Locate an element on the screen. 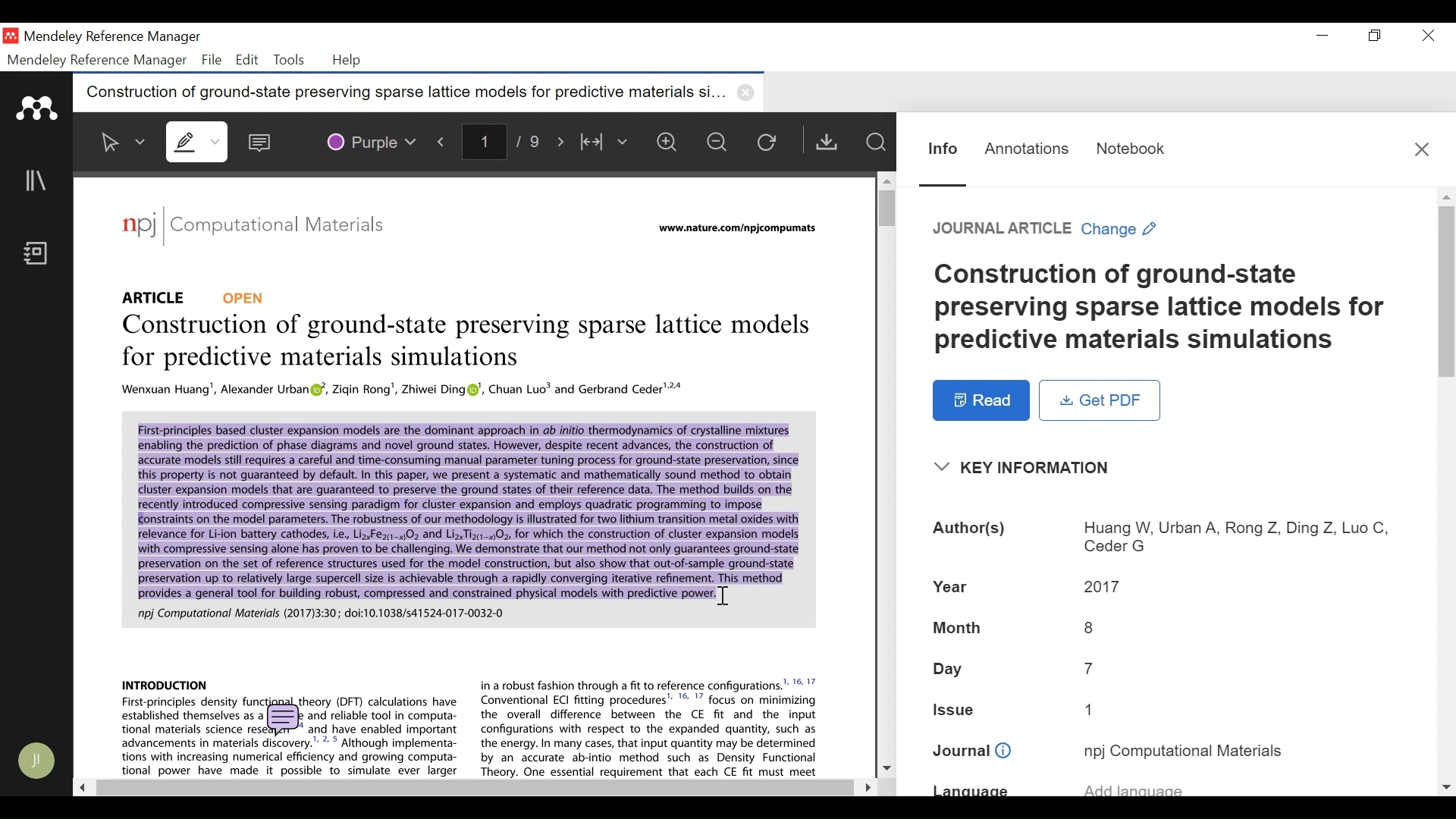 The width and height of the screenshot is (1456, 819). Horizontal Scroll bar is located at coordinates (472, 788).